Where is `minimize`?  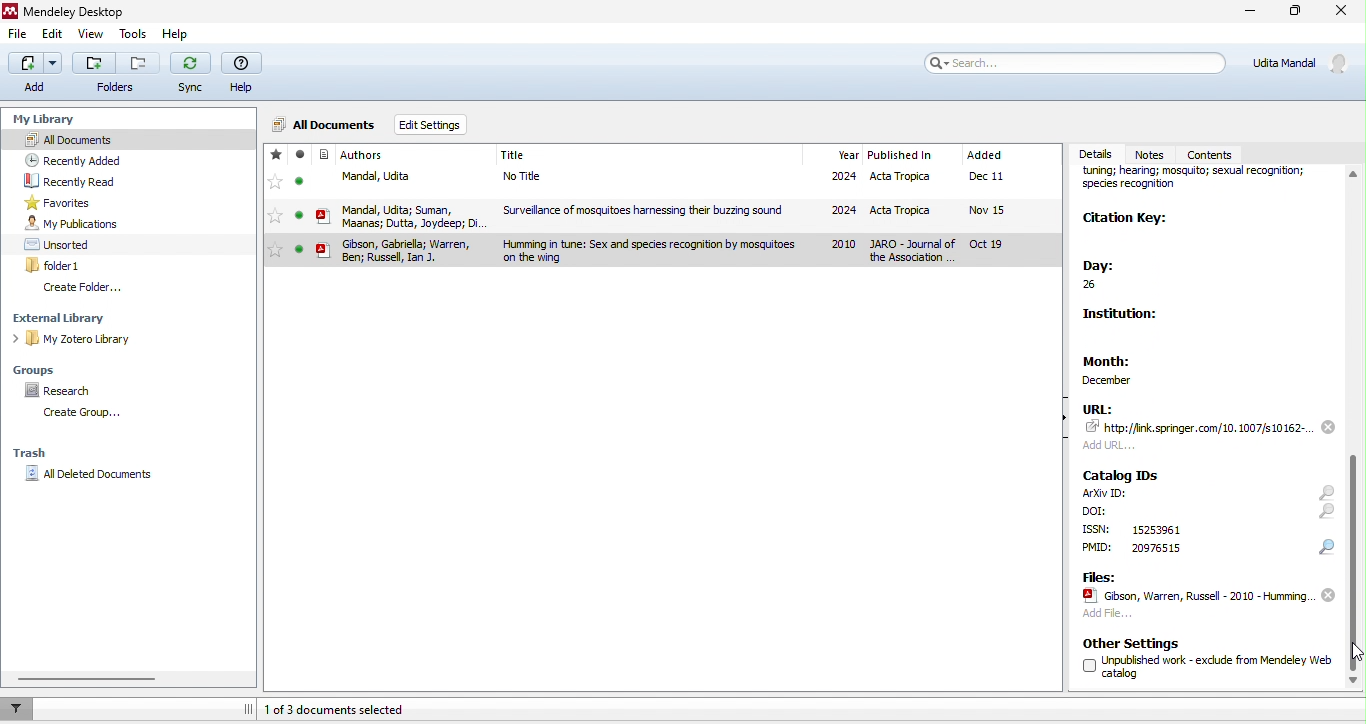 minimize is located at coordinates (1247, 13).